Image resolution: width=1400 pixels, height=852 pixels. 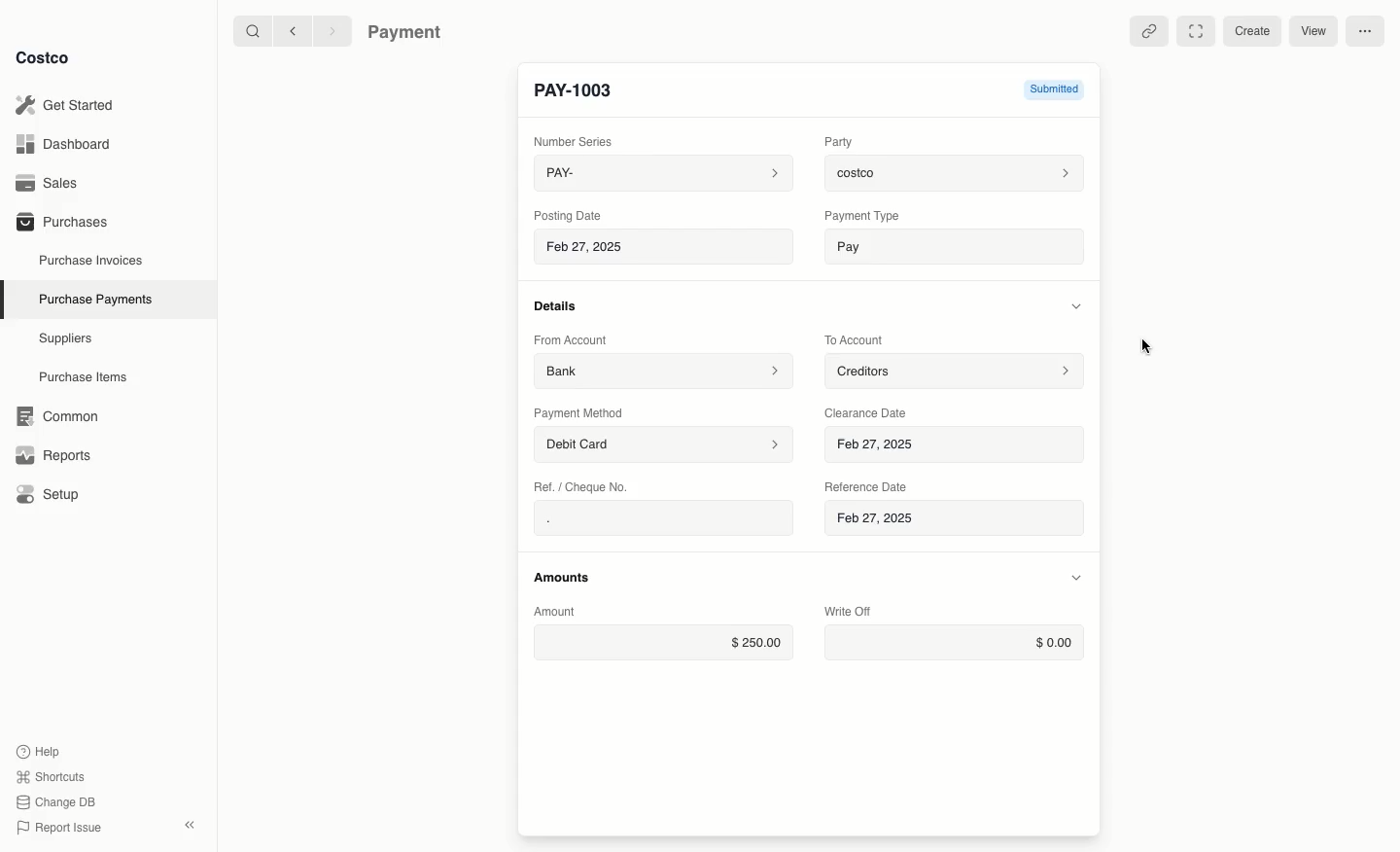 I want to click on Purchase Items, so click(x=86, y=377).